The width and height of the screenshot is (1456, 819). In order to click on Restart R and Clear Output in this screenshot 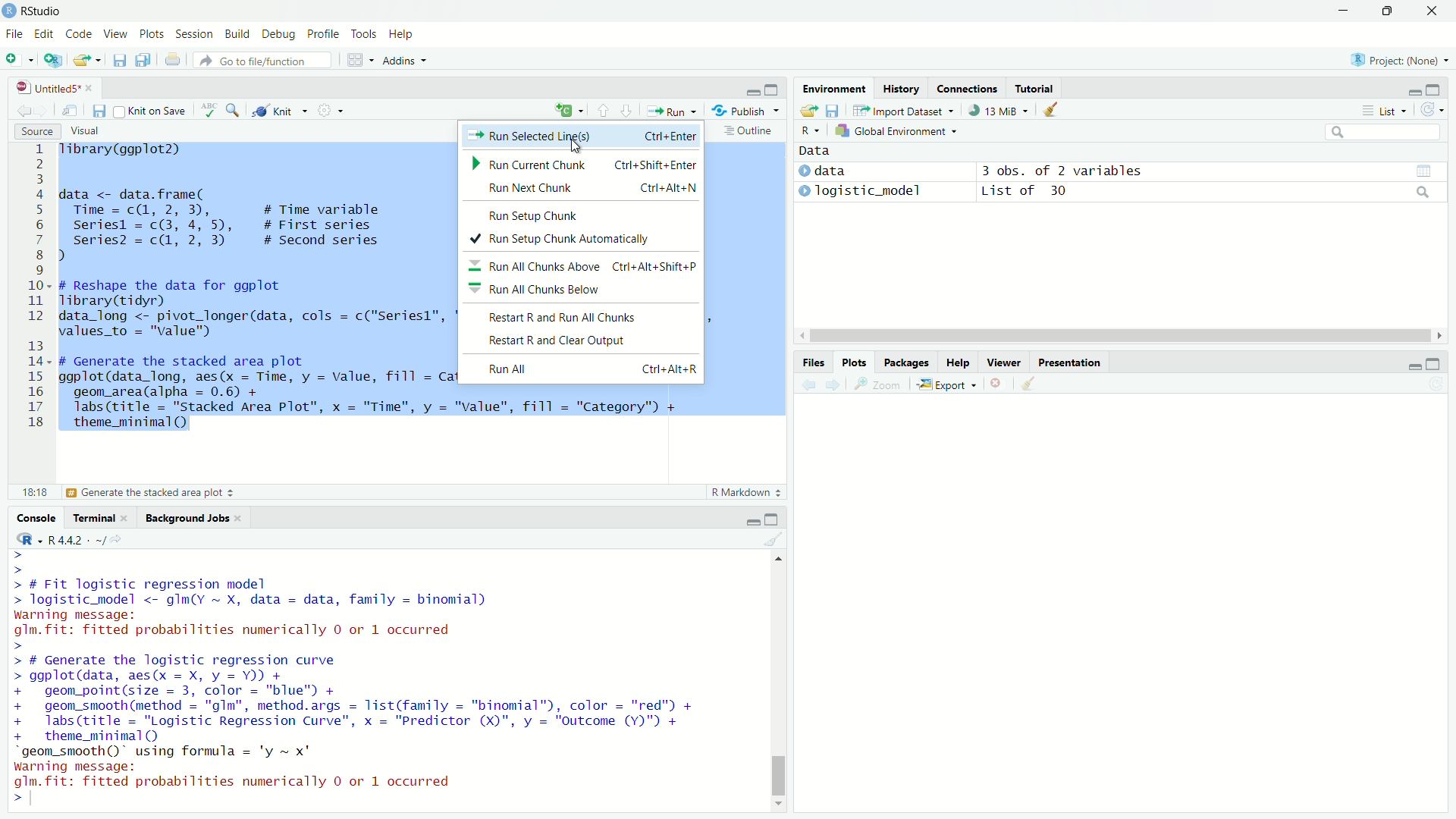, I will do `click(566, 339)`.